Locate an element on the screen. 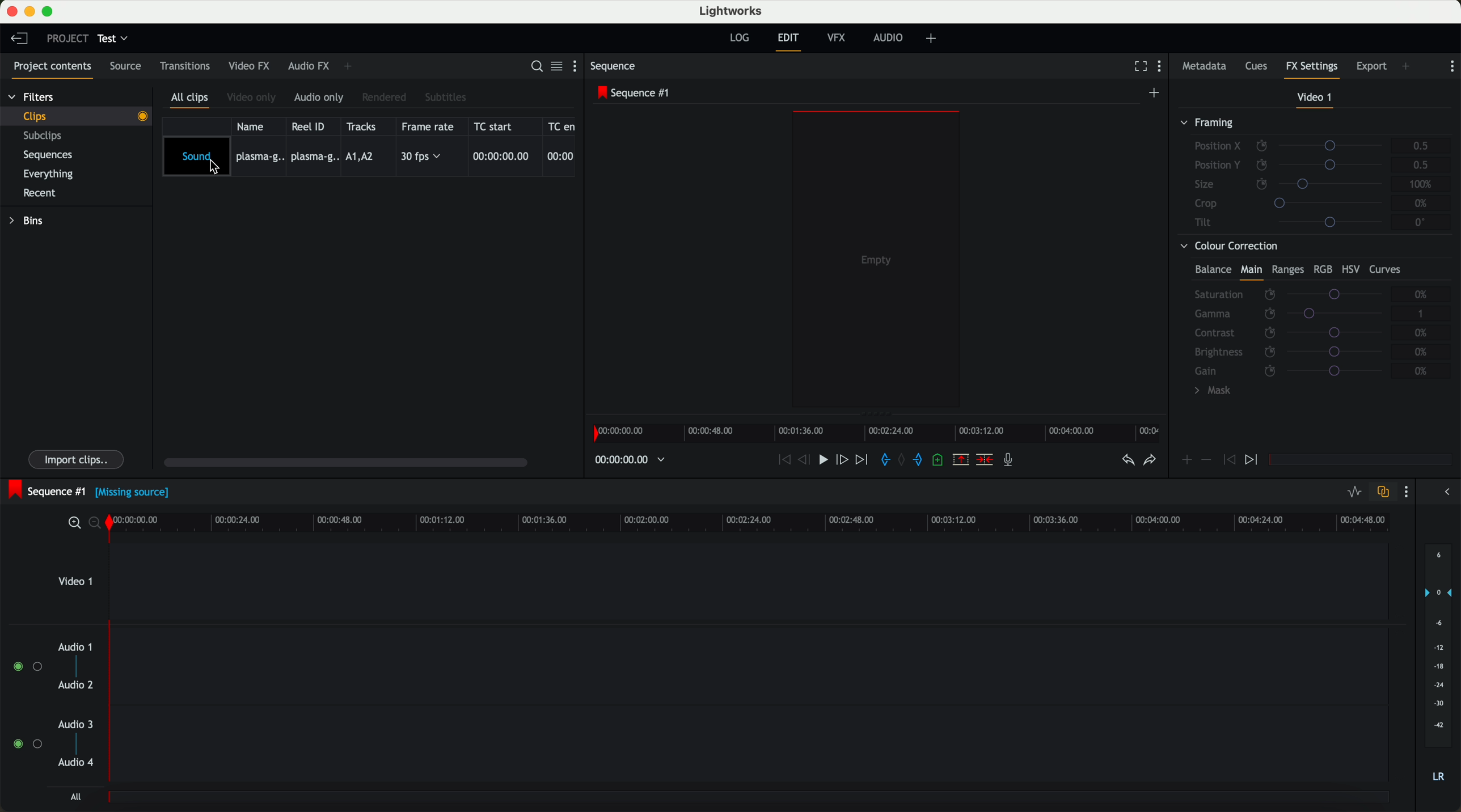  undo is located at coordinates (1126, 463).